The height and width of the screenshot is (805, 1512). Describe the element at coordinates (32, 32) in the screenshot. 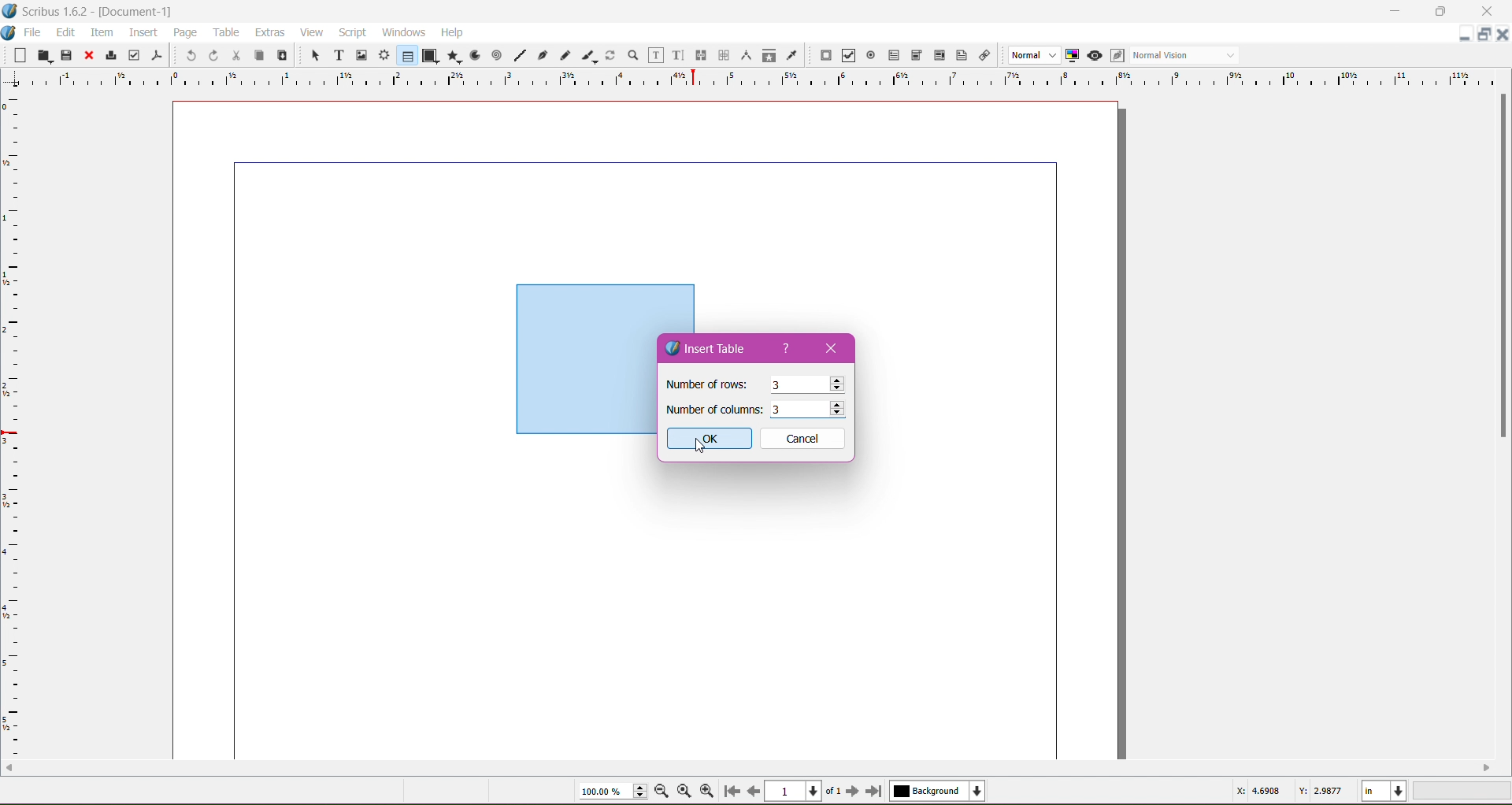

I see `File` at that location.